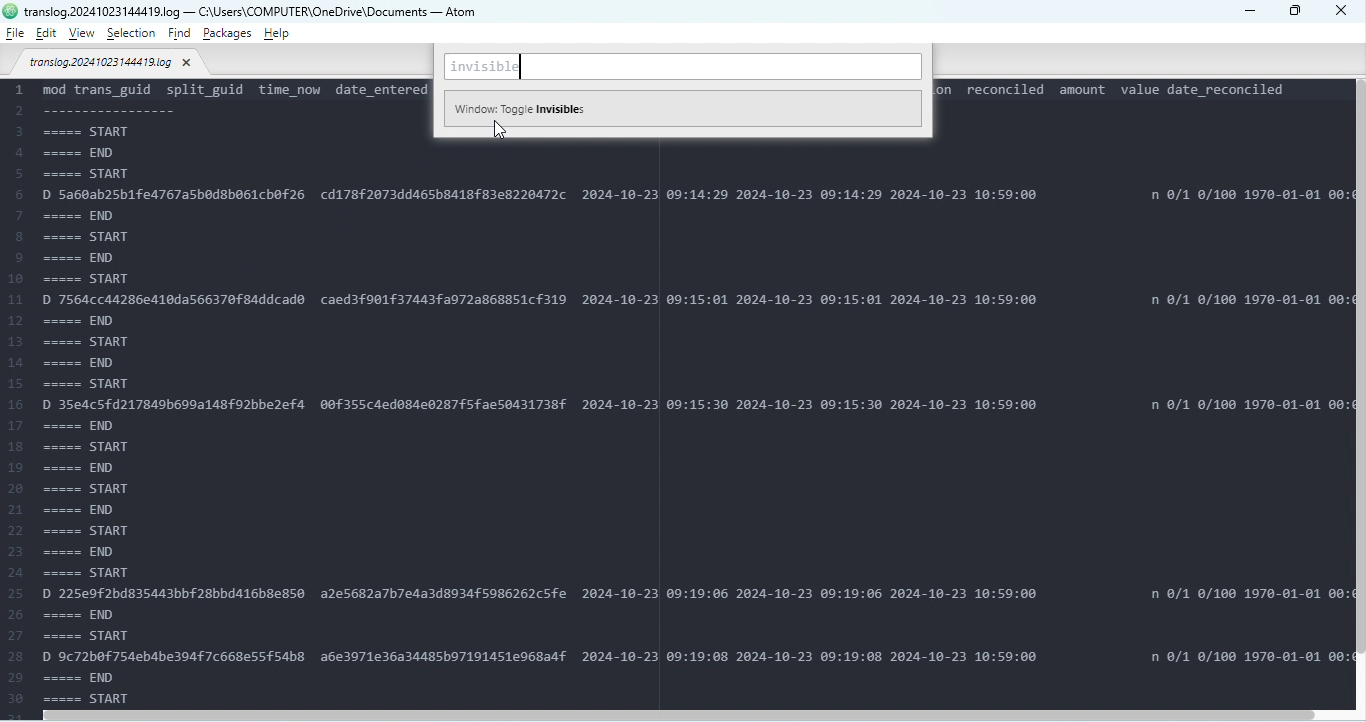  What do you see at coordinates (677, 420) in the screenshot?
I see `File content - The code appears to be related to data entries or logs, possibly from a database or system process. It includes elements like:  START/END: Markers indicating the beginning and end of a data record. GUIDs (Globally Unique Identifiers): Long strings of characters that uniquely identify each record. Timestamps: Dates and times associated with the records, such as 2024-10-23 09:14:29. Counters/Indexes: Values like "n 0/1 100" or "0/1 100", which might indicate record numbers or positions. Date Codes: Such as 1970-01-01 00, which might represent default or initial dates. ` at bounding box center [677, 420].